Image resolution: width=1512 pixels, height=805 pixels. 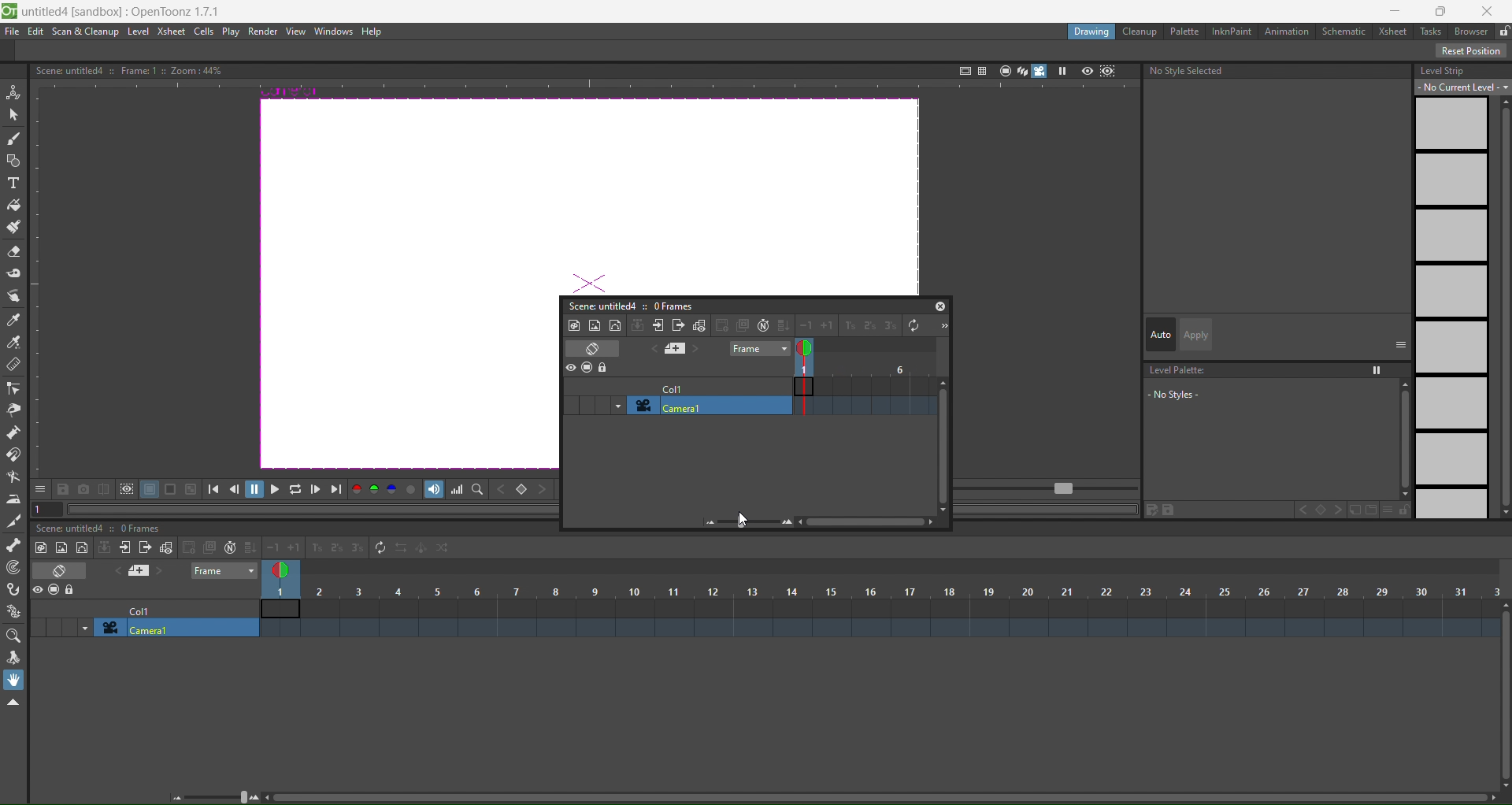 What do you see at coordinates (1492, 9) in the screenshot?
I see `close` at bounding box center [1492, 9].